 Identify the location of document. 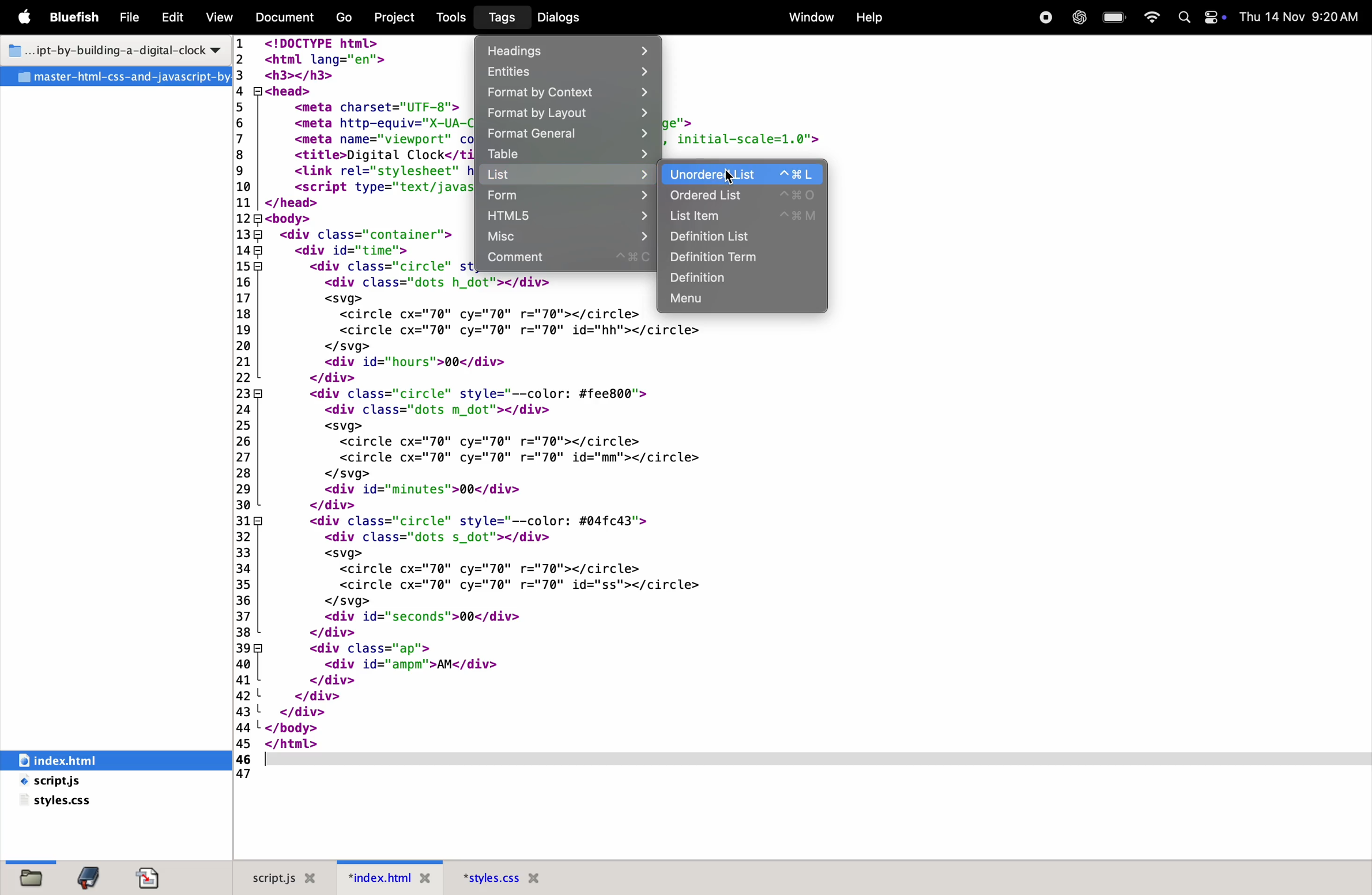
(152, 878).